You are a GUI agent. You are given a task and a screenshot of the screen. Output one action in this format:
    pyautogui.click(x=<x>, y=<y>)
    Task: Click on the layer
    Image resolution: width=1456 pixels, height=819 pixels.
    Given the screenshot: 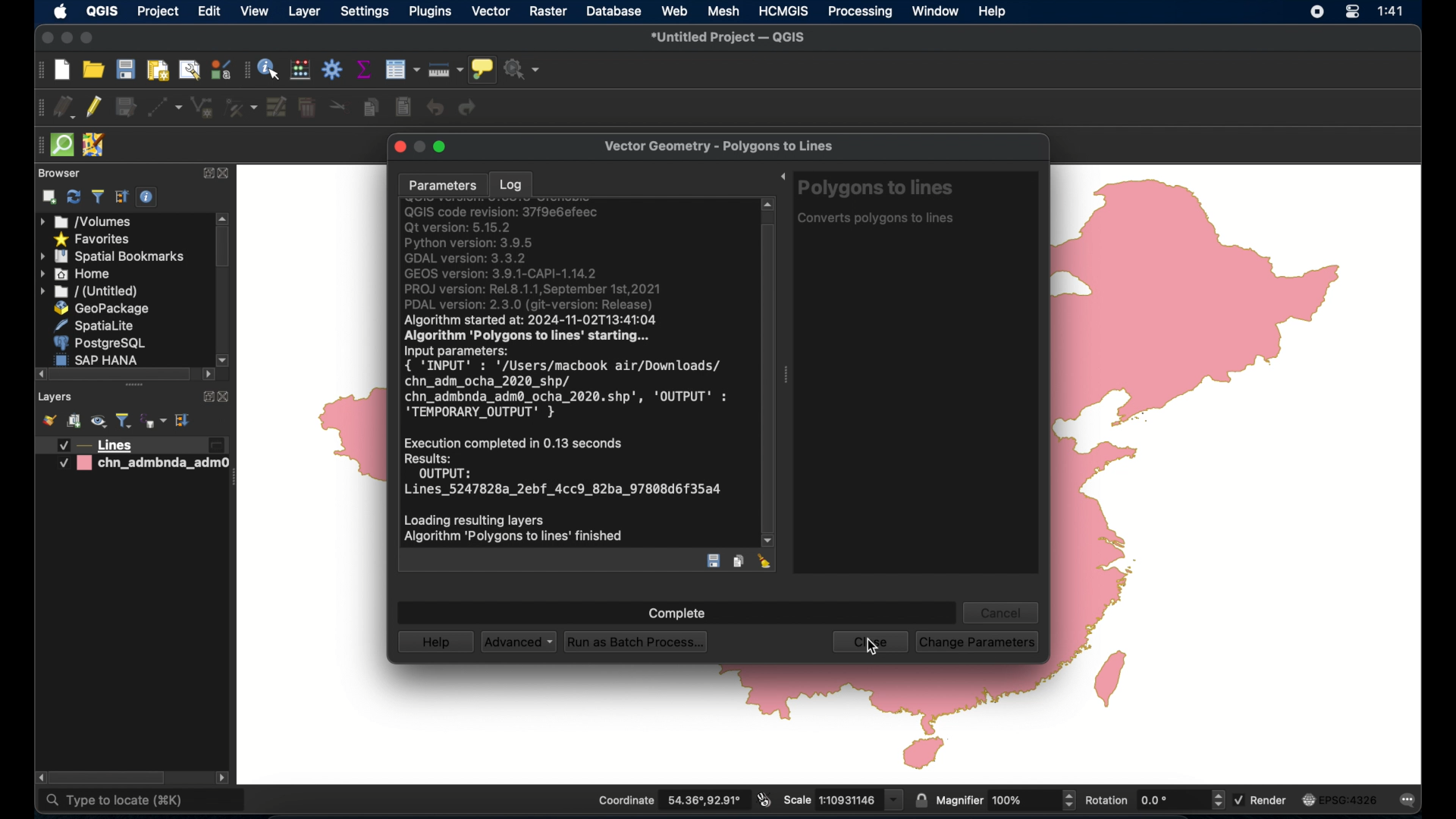 What is the action you would take?
    pyautogui.click(x=303, y=12)
    